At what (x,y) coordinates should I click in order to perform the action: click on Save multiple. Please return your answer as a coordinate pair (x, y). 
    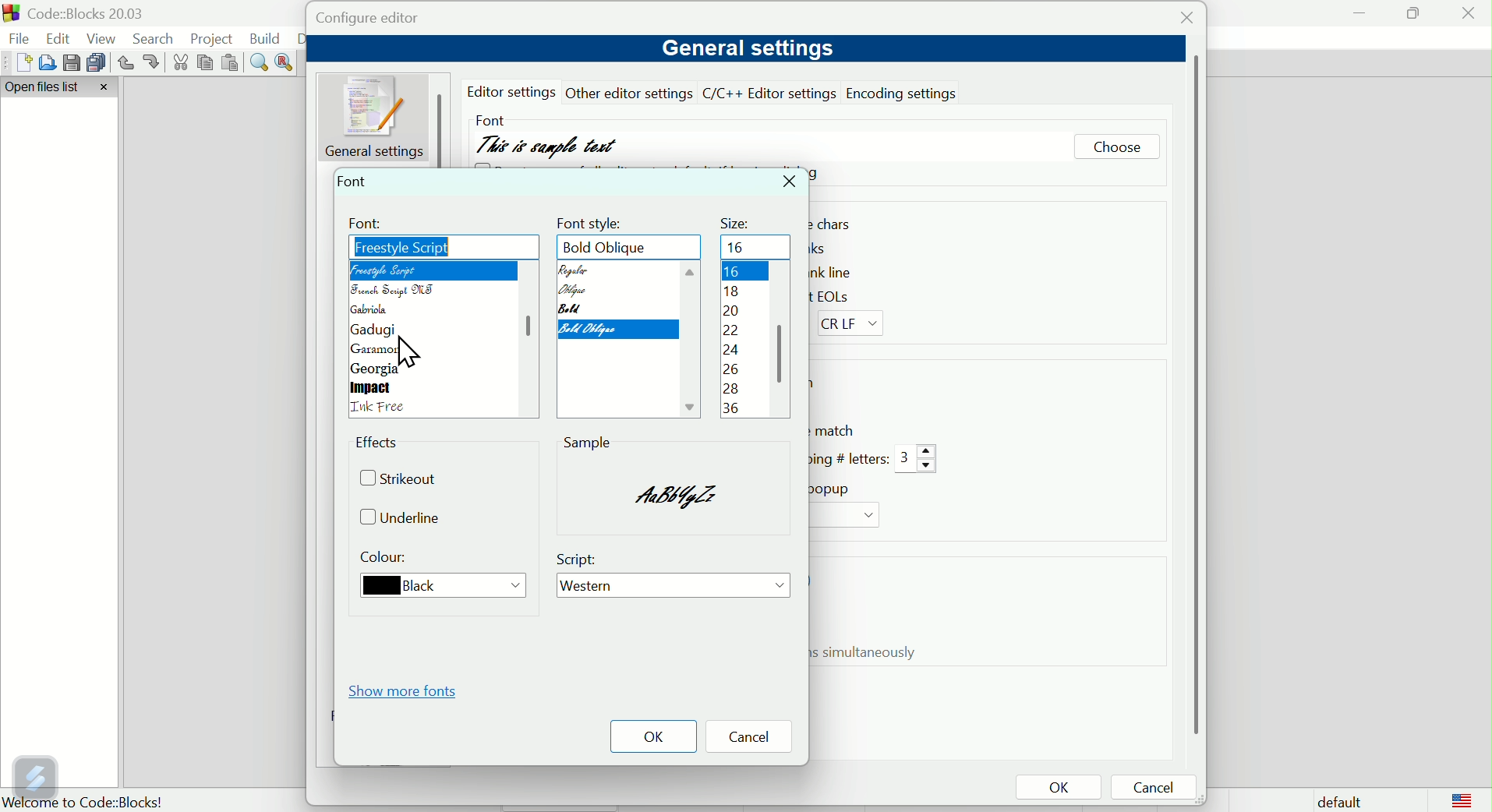
    Looking at the image, I should click on (97, 62).